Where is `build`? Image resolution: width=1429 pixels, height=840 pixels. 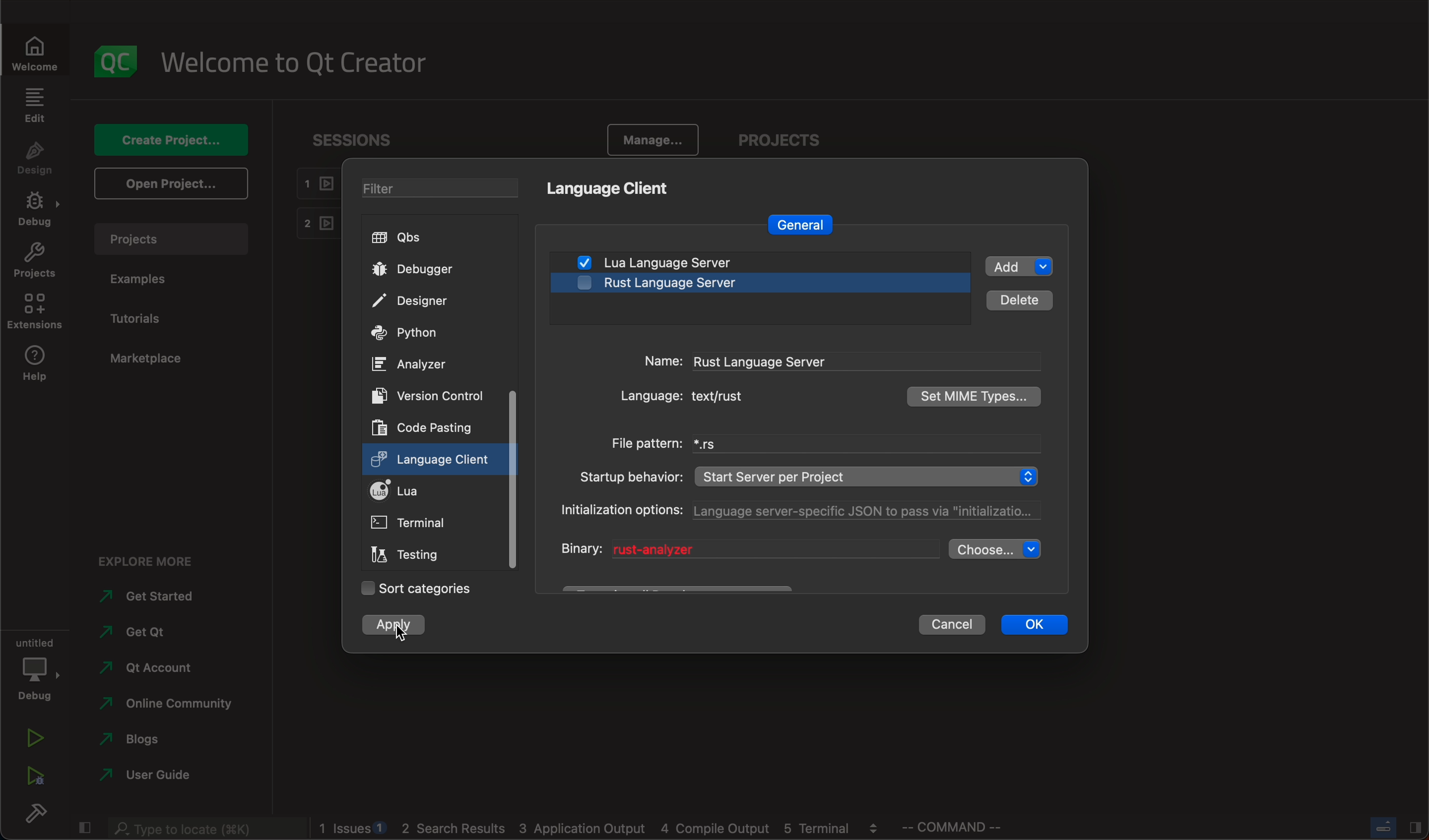 build is located at coordinates (40, 816).